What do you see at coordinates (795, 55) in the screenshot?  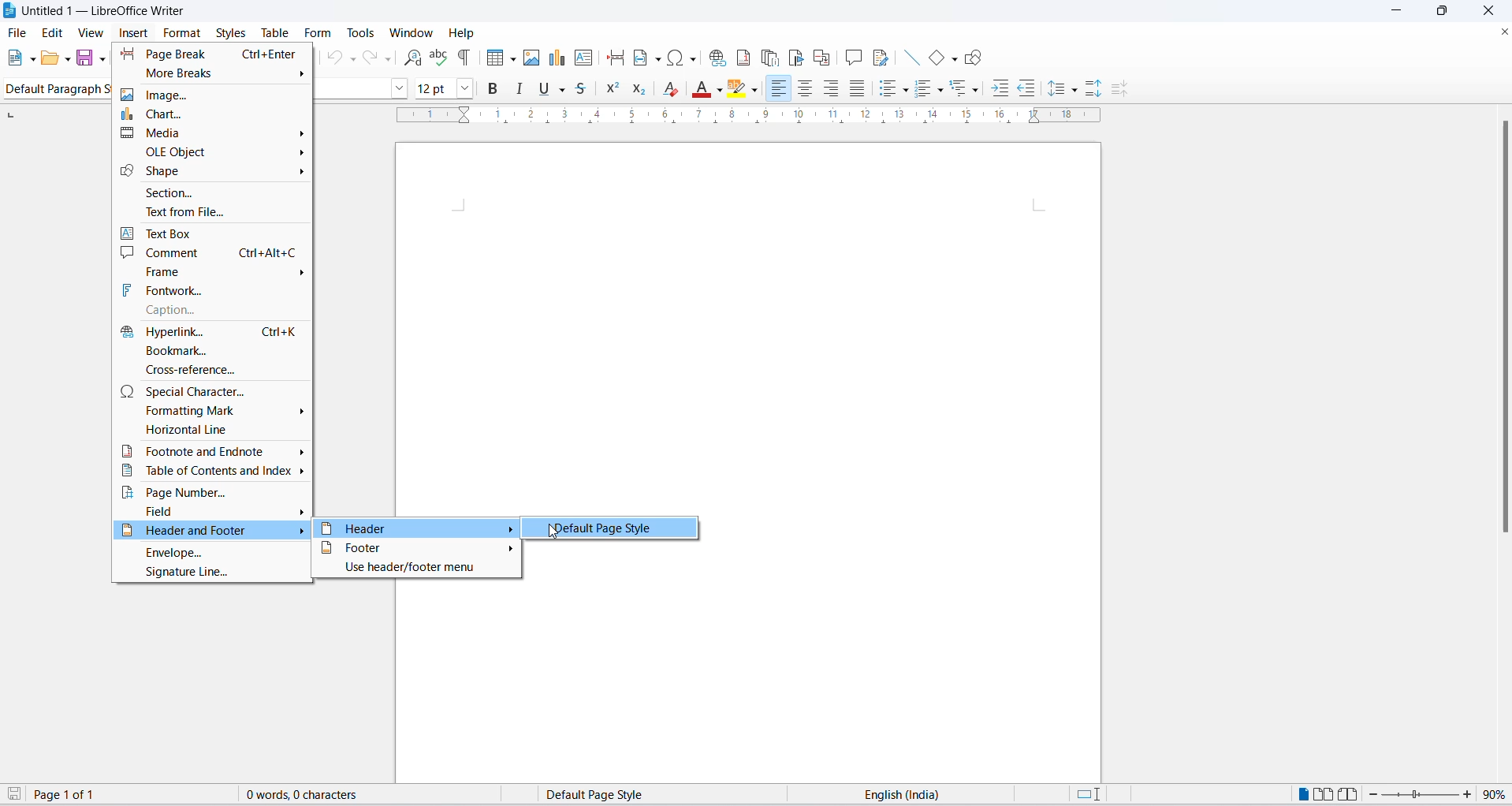 I see `insert bookmark` at bounding box center [795, 55].